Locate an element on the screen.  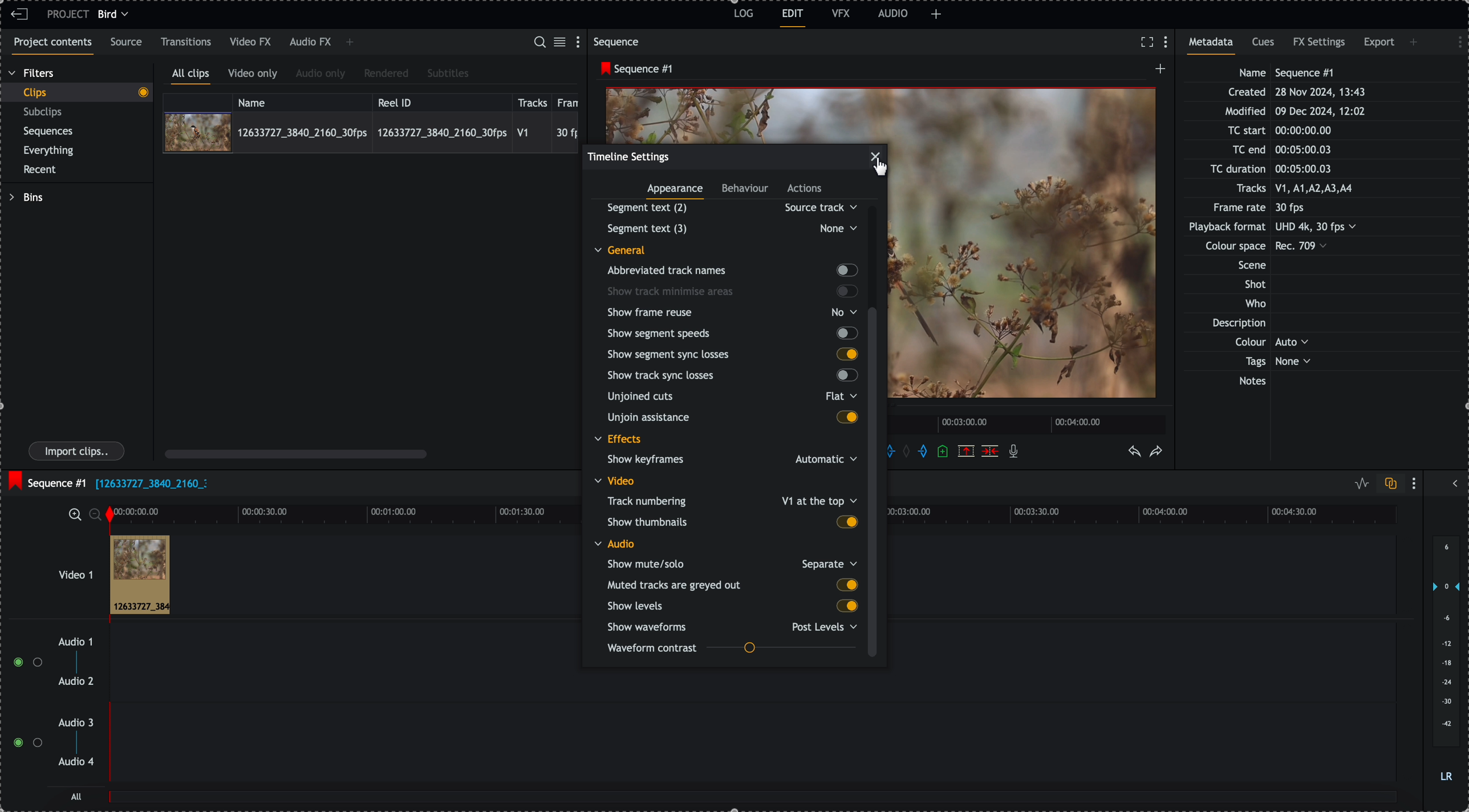
VFX is located at coordinates (841, 13).